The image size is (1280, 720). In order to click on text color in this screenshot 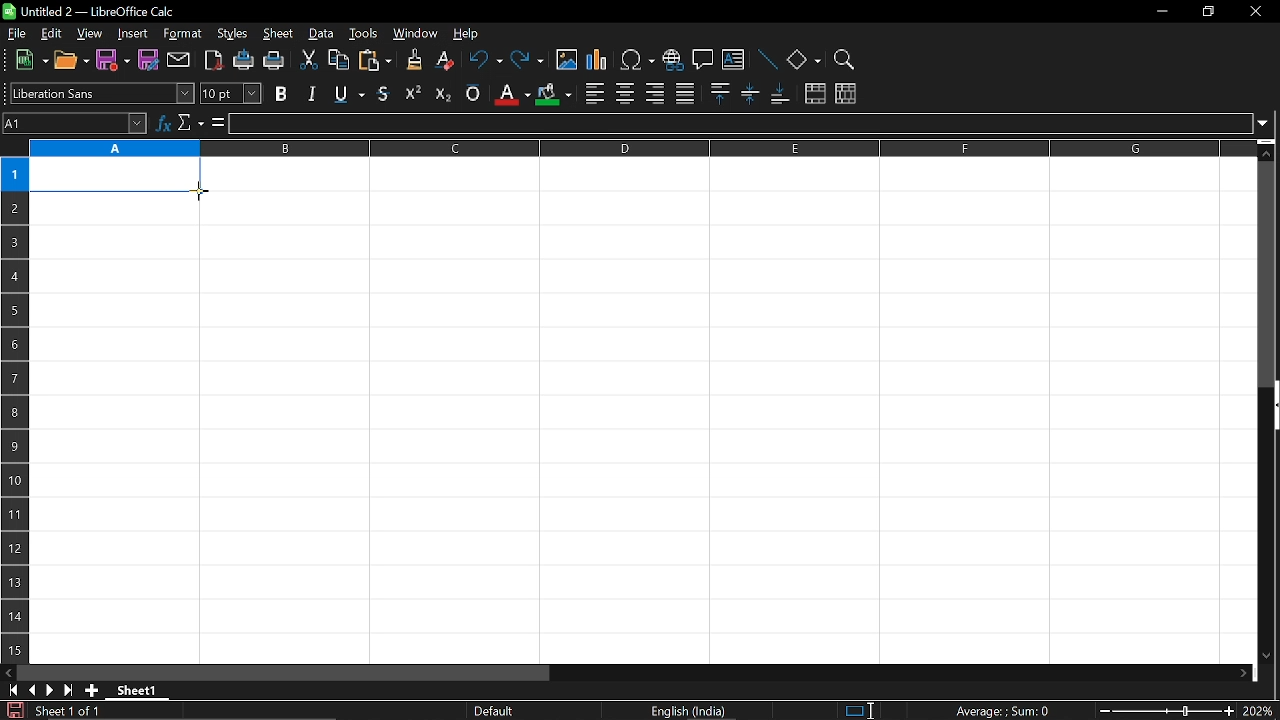, I will do `click(510, 94)`.